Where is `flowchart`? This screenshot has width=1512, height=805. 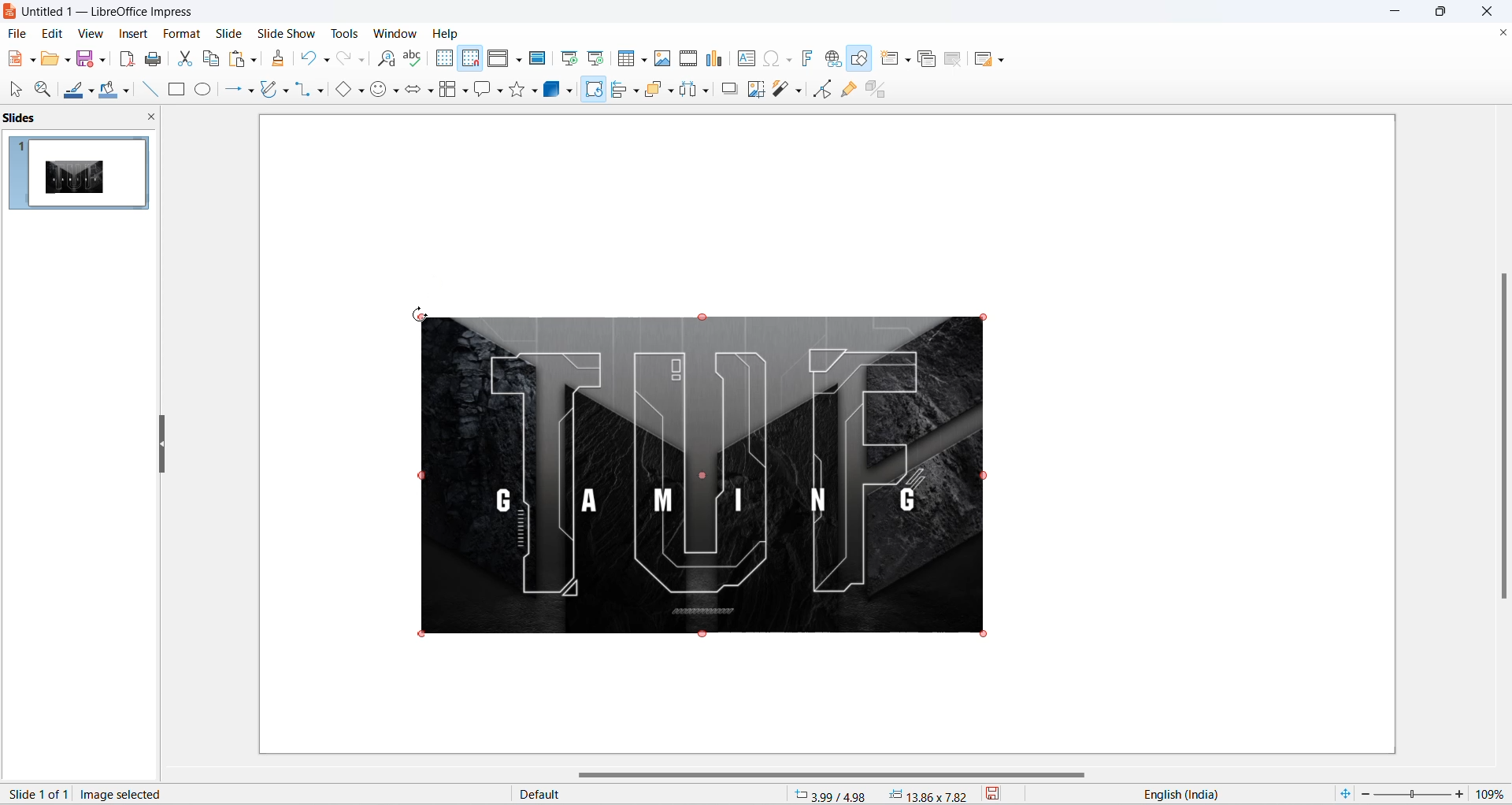 flowchart is located at coordinates (448, 91).